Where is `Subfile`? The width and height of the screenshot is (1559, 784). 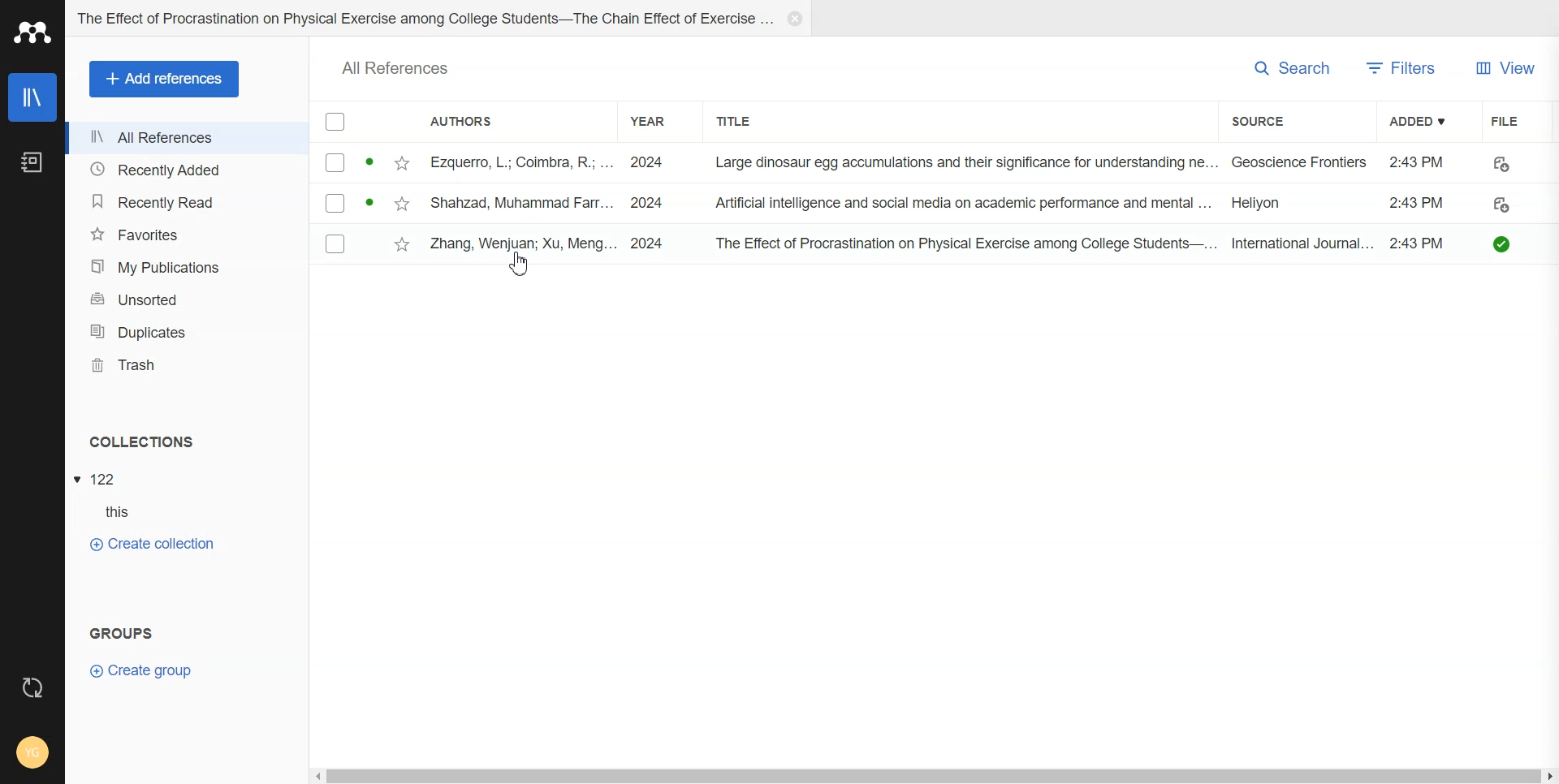 Subfile is located at coordinates (104, 511).